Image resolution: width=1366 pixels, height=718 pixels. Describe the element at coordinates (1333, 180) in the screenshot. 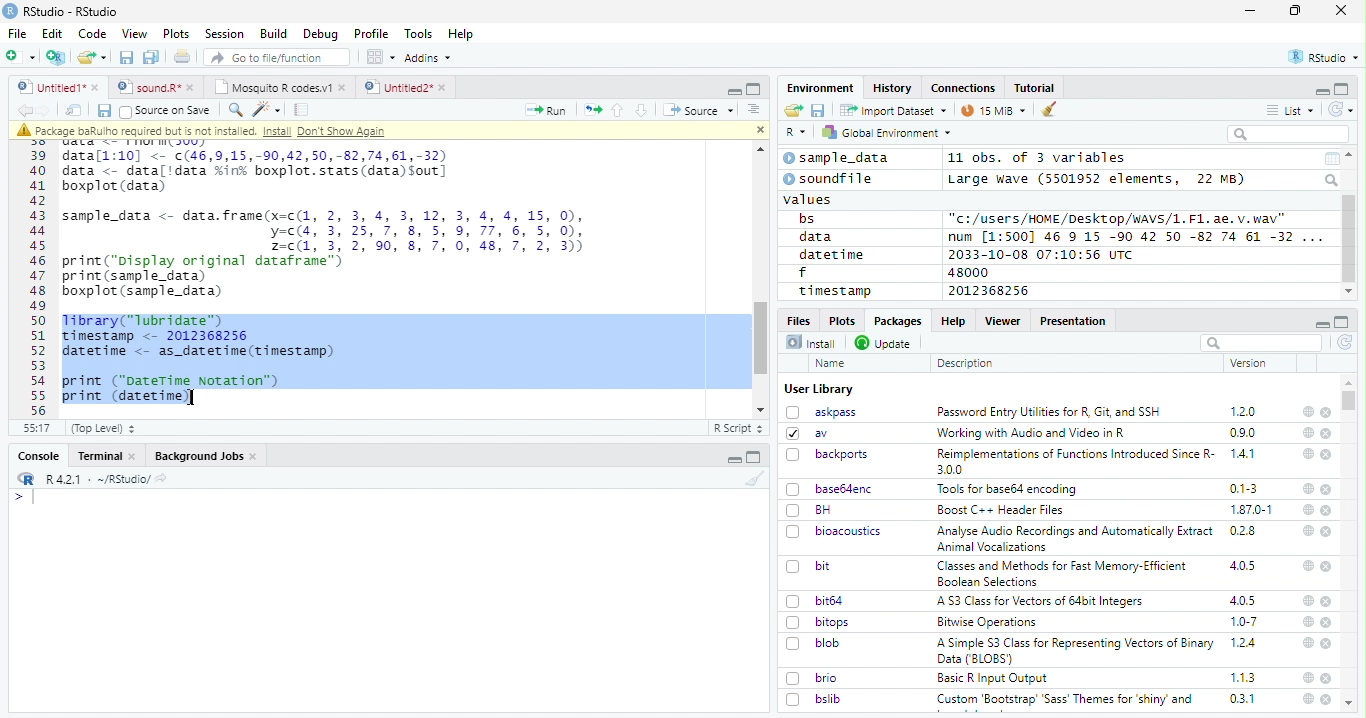

I see `Search` at that location.